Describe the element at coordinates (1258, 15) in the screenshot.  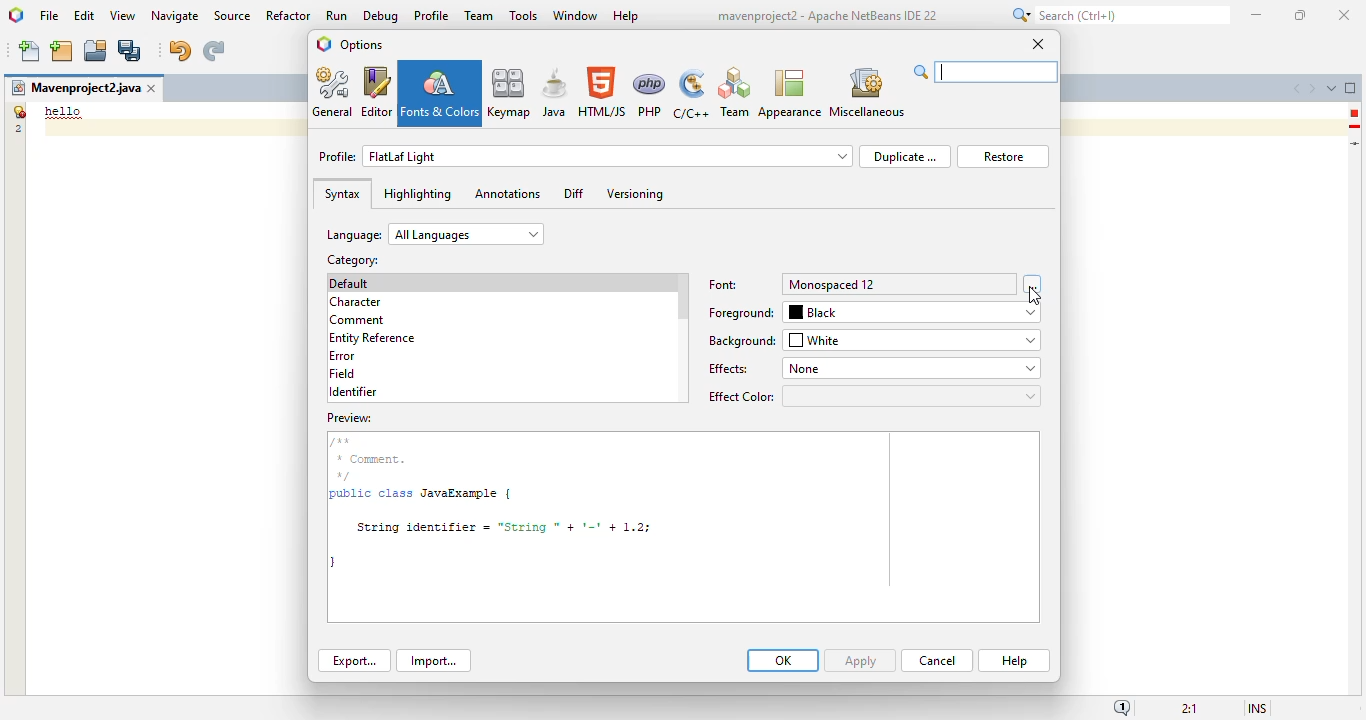
I see `minimize` at that location.